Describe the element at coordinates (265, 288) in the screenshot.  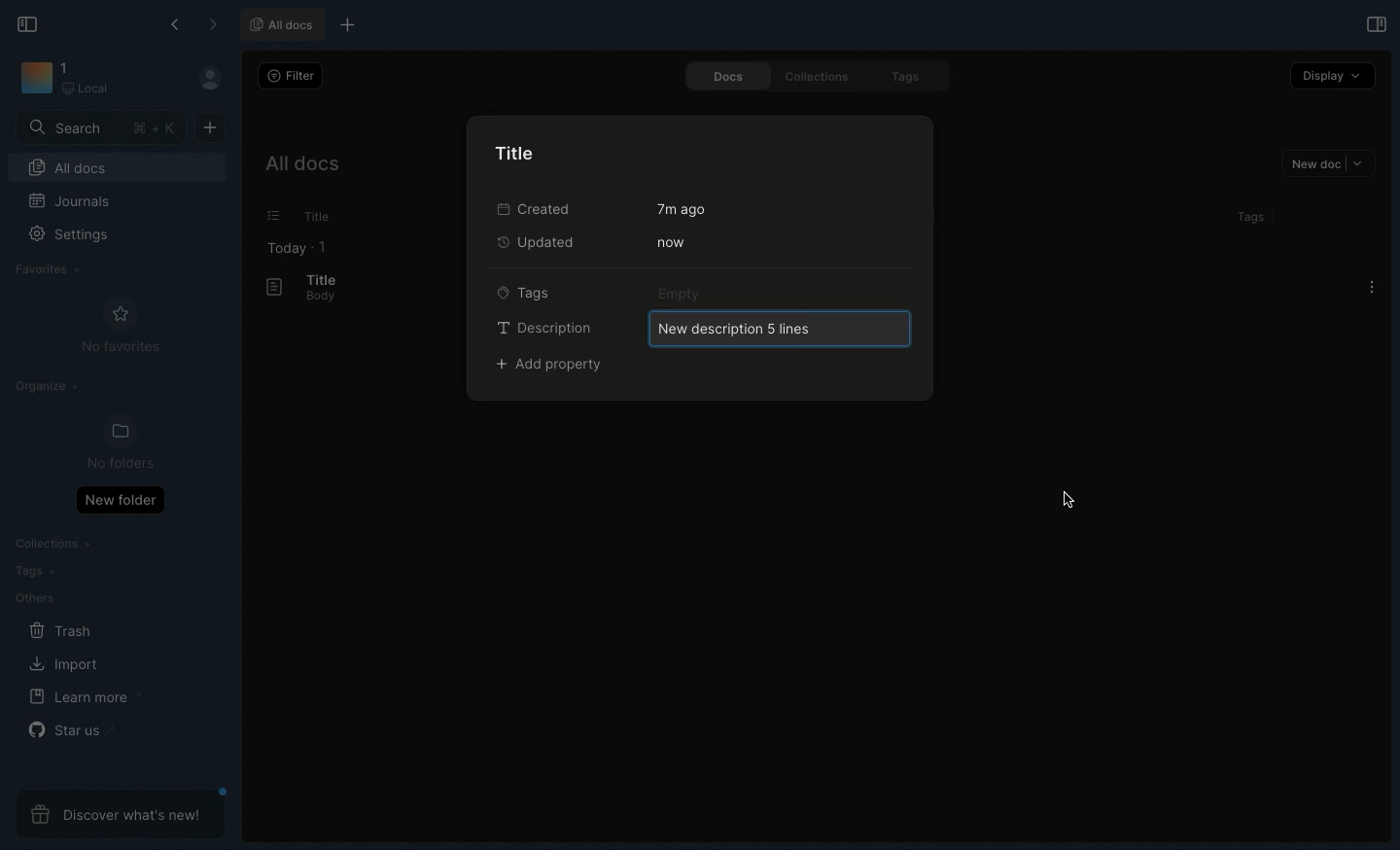
I see `Document` at that location.